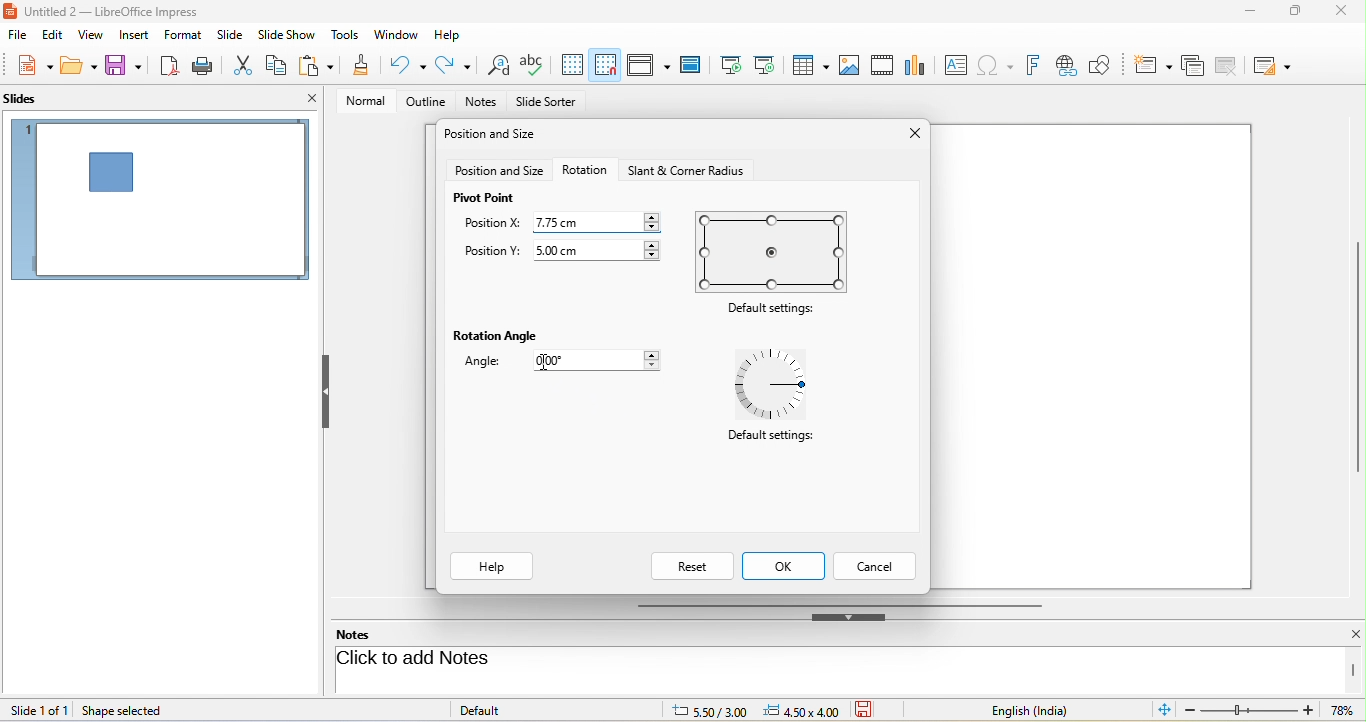 Image resolution: width=1366 pixels, height=722 pixels. I want to click on redo, so click(453, 66).